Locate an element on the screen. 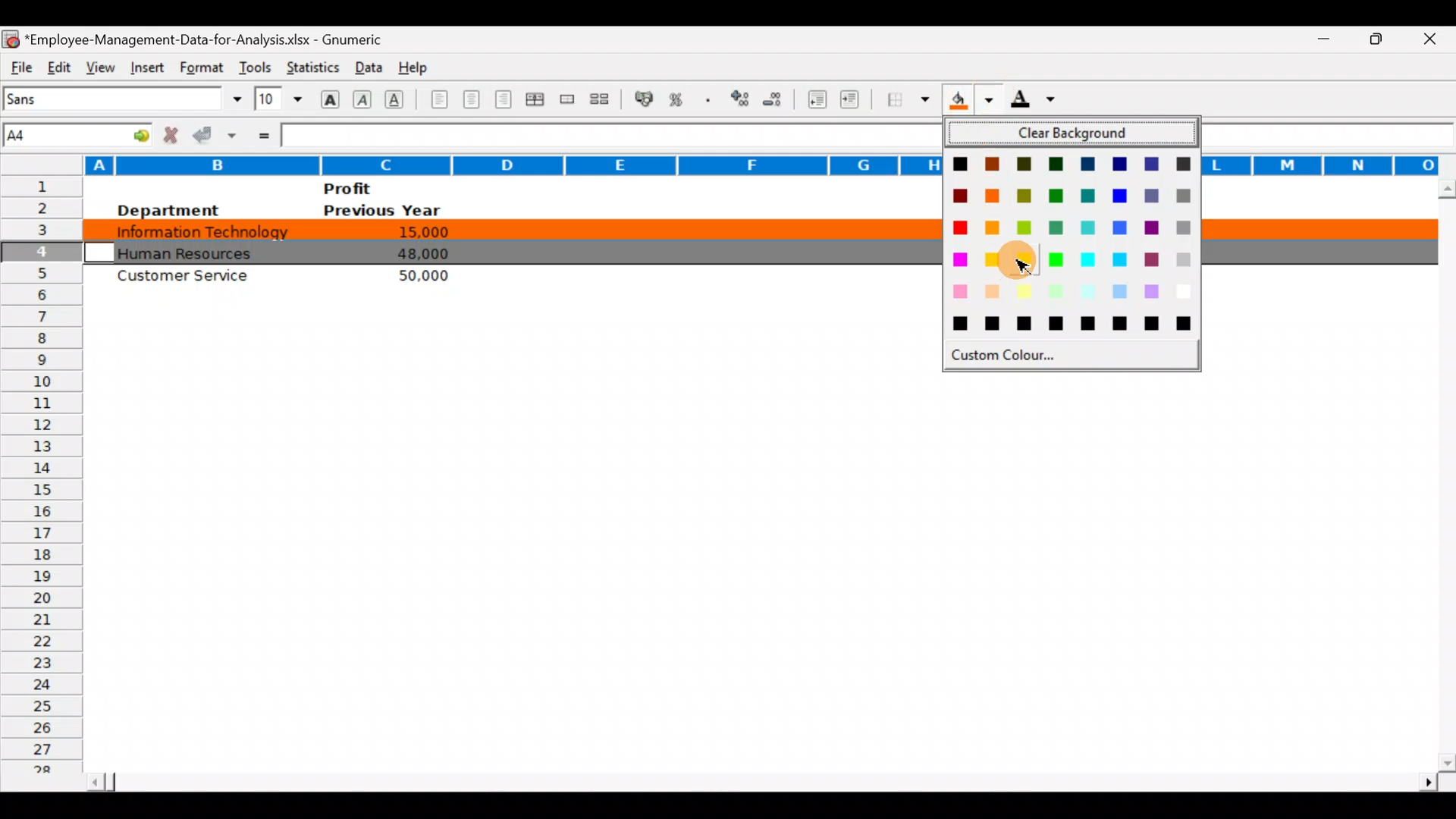  *Employee-Management-Data-for-Analysis.xlsx - Gnumeric is located at coordinates (213, 37).